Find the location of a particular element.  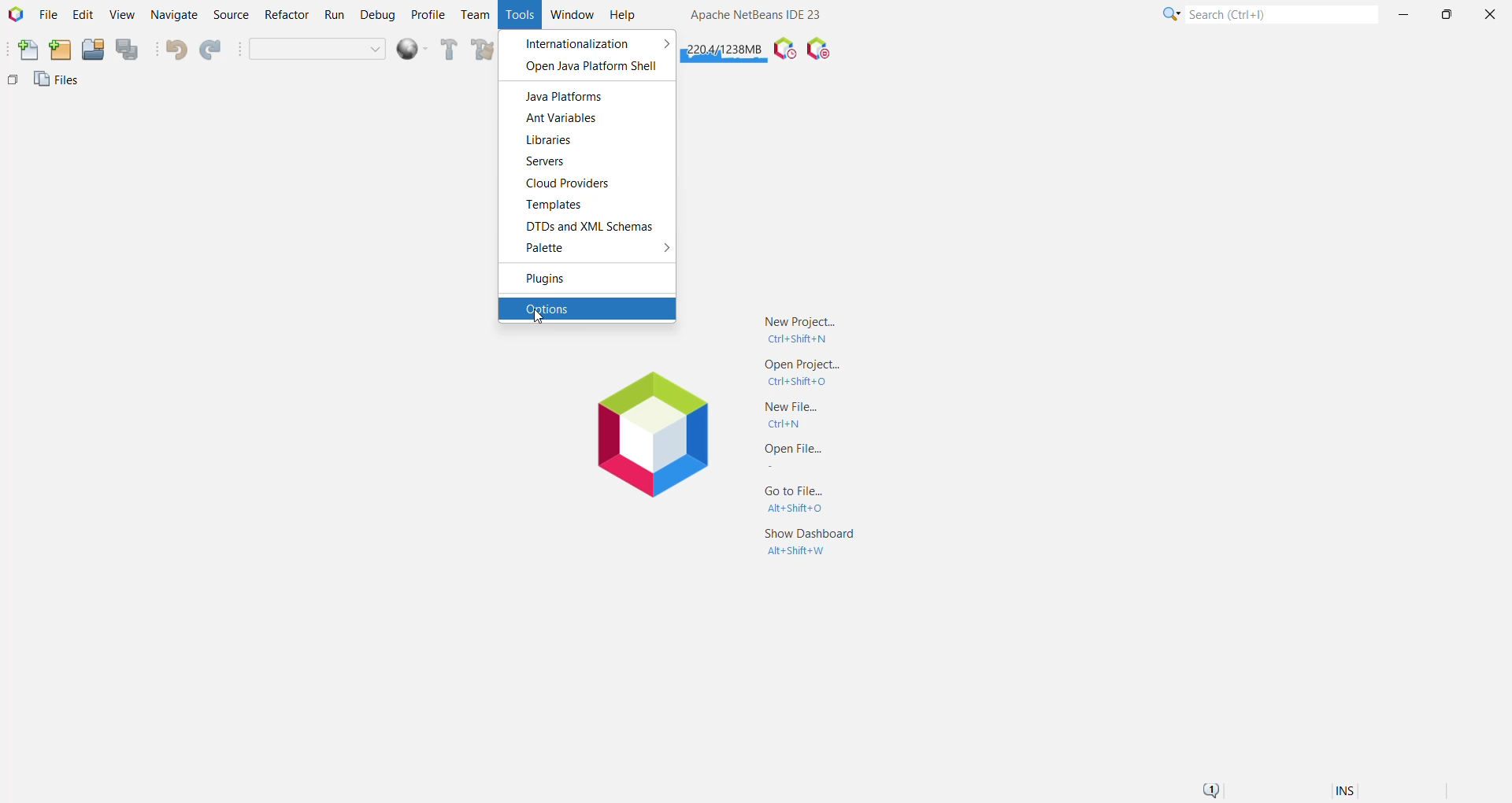

Files is located at coordinates (59, 83).